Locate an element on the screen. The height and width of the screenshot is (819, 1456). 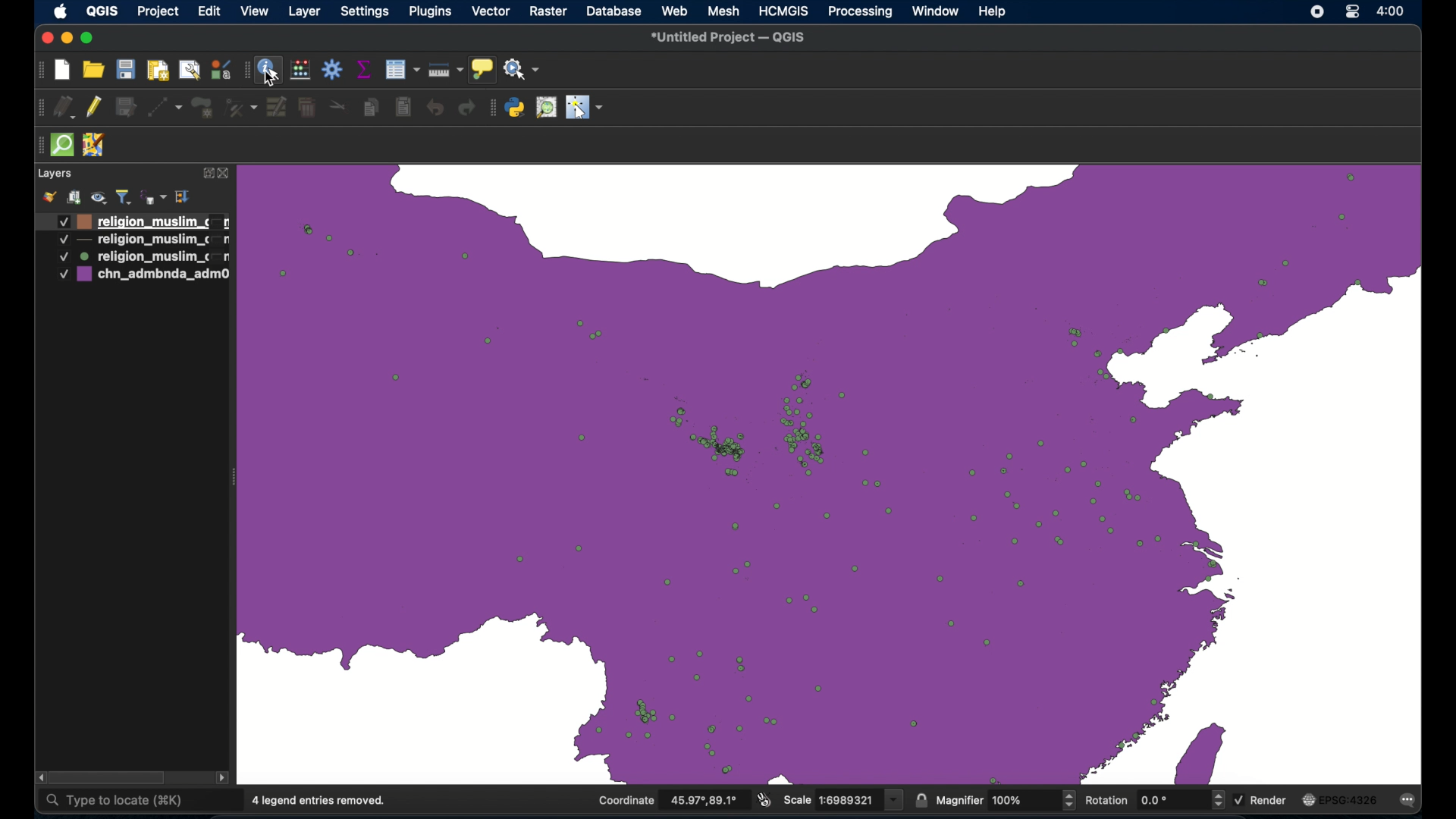
database is located at coordinates (614, 11).